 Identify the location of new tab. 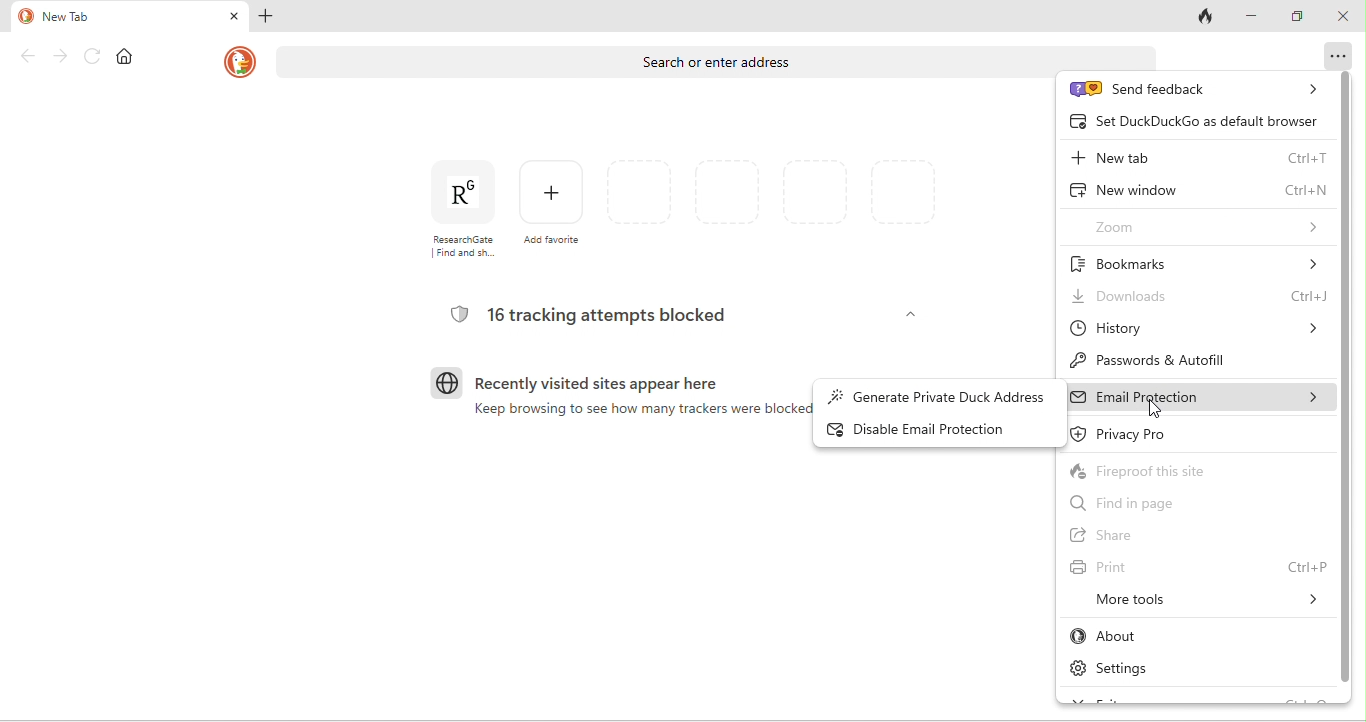
(115, 16).